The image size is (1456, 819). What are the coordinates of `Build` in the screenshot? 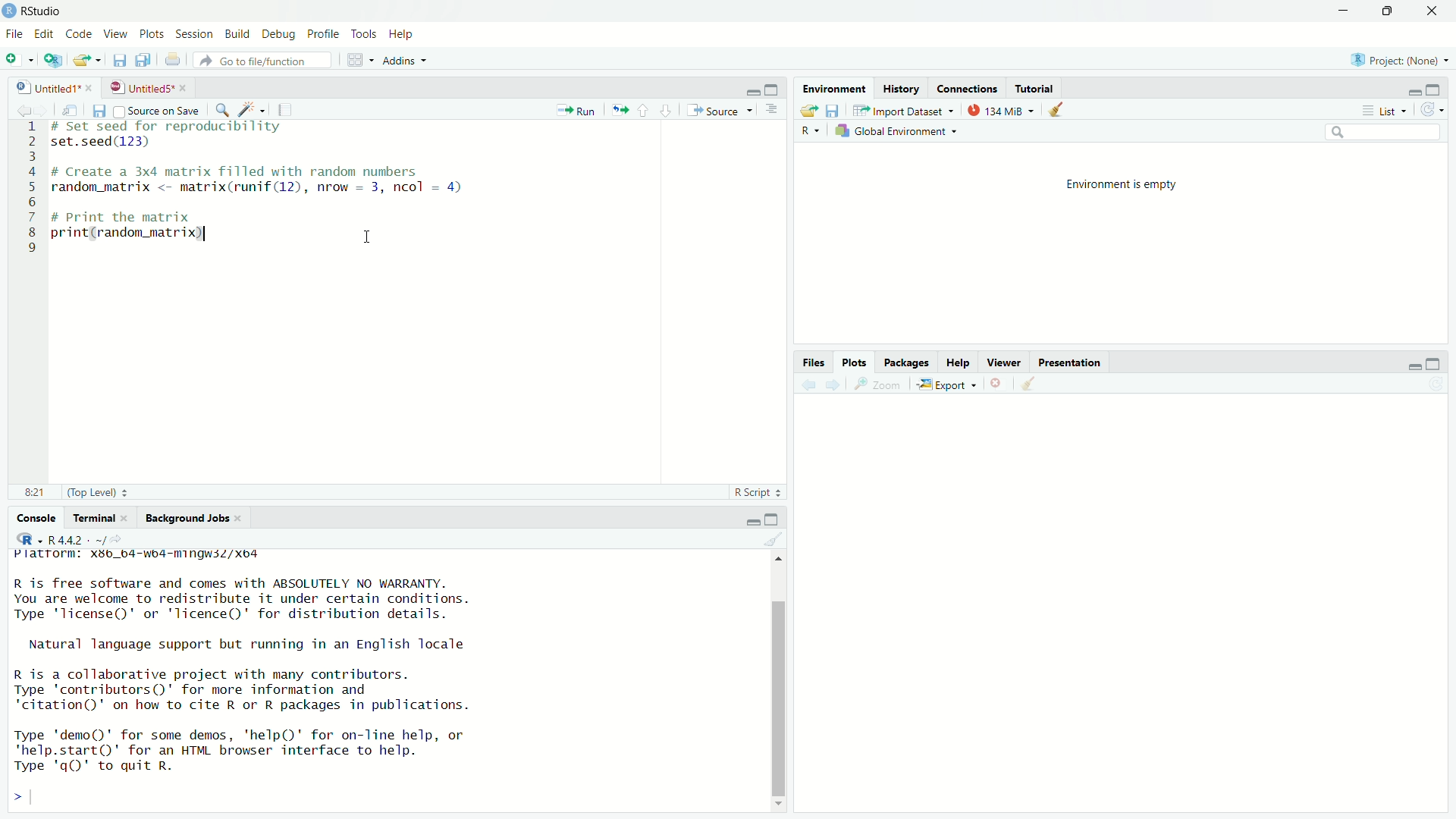 It's located at (237, 31).